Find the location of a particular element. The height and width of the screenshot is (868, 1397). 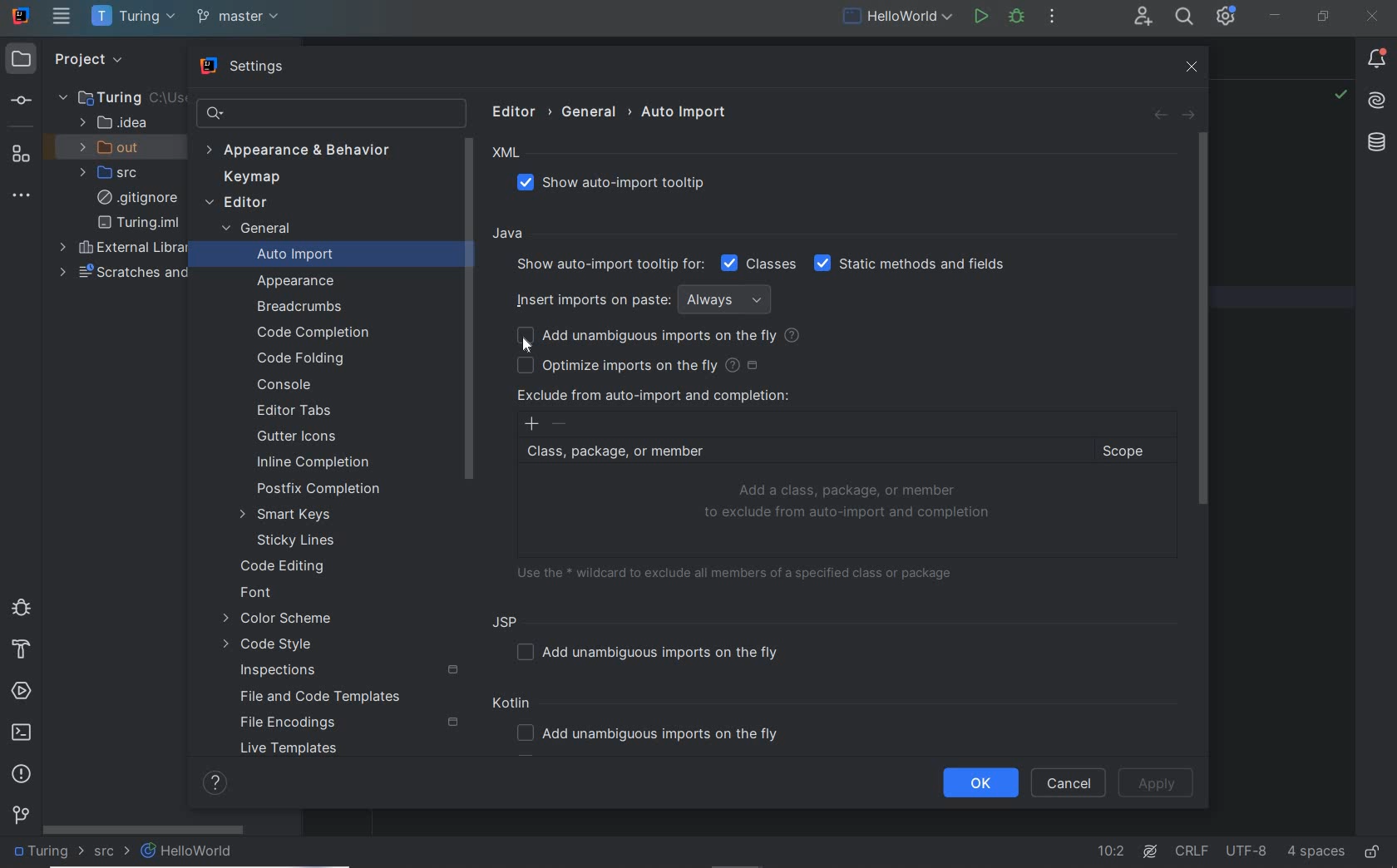

OK is located at coordinates (980, 783).